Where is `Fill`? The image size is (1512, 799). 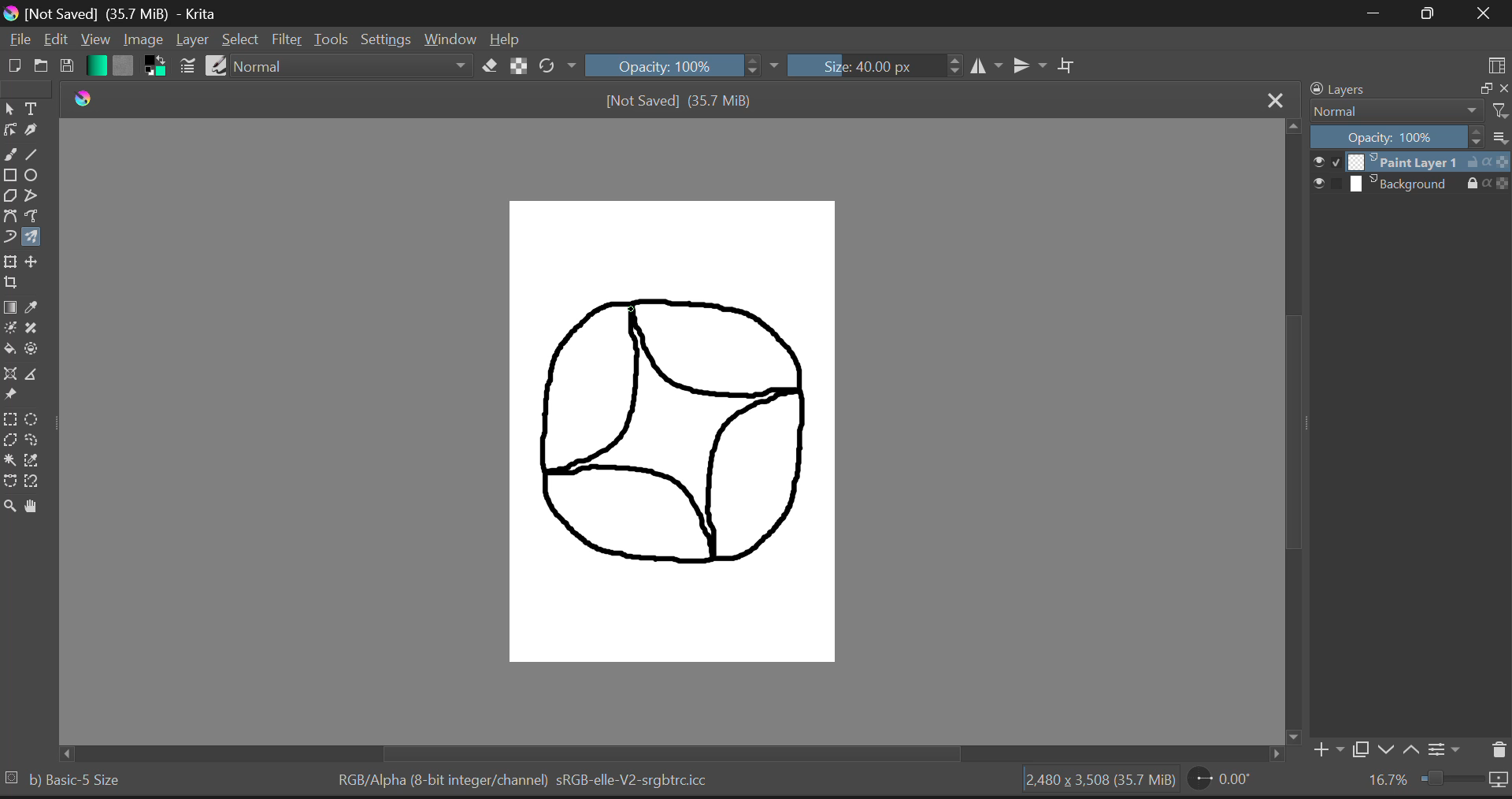
Fill is located at coordinates (9, 347).